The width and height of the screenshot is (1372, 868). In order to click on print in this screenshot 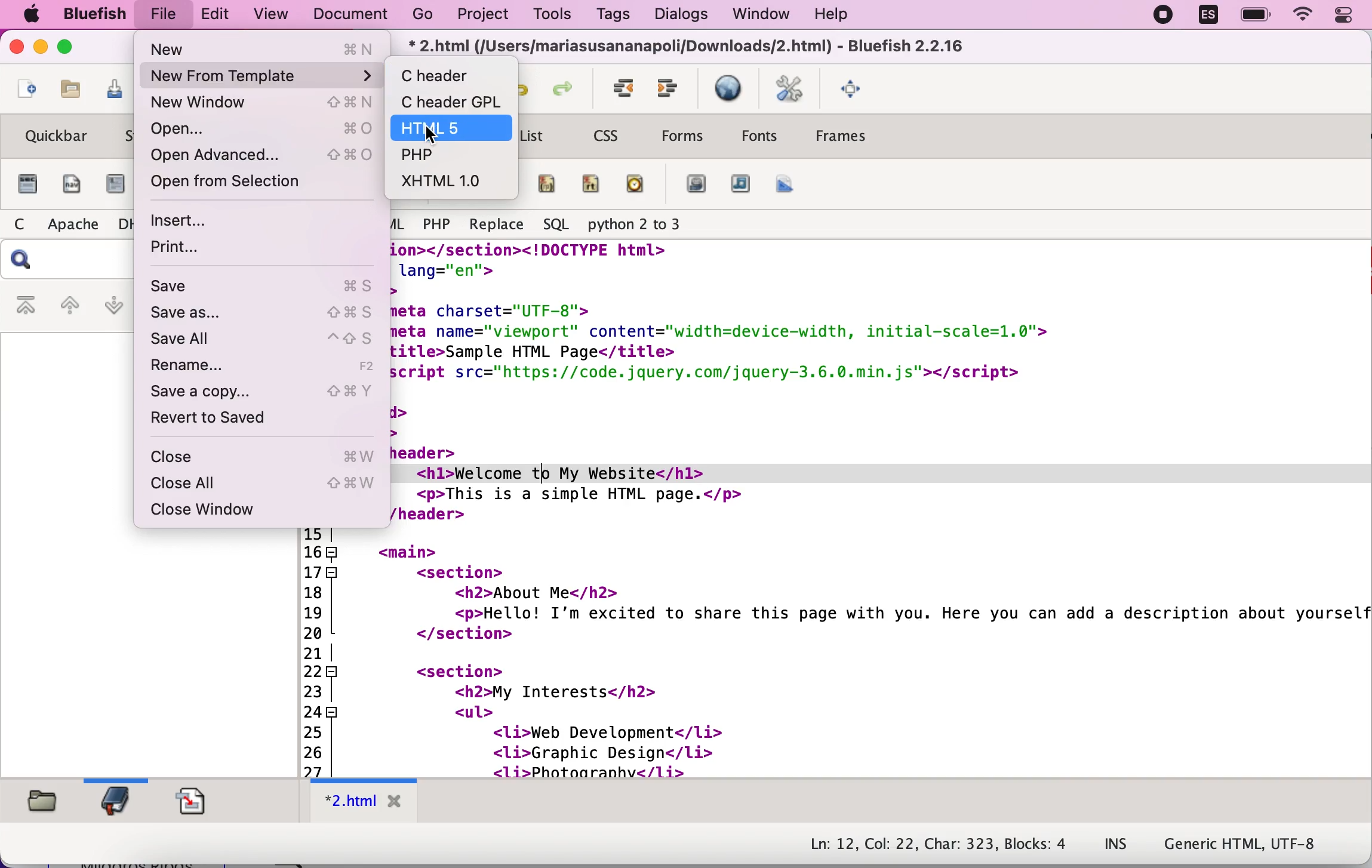, I will do `click(242, 251)`.